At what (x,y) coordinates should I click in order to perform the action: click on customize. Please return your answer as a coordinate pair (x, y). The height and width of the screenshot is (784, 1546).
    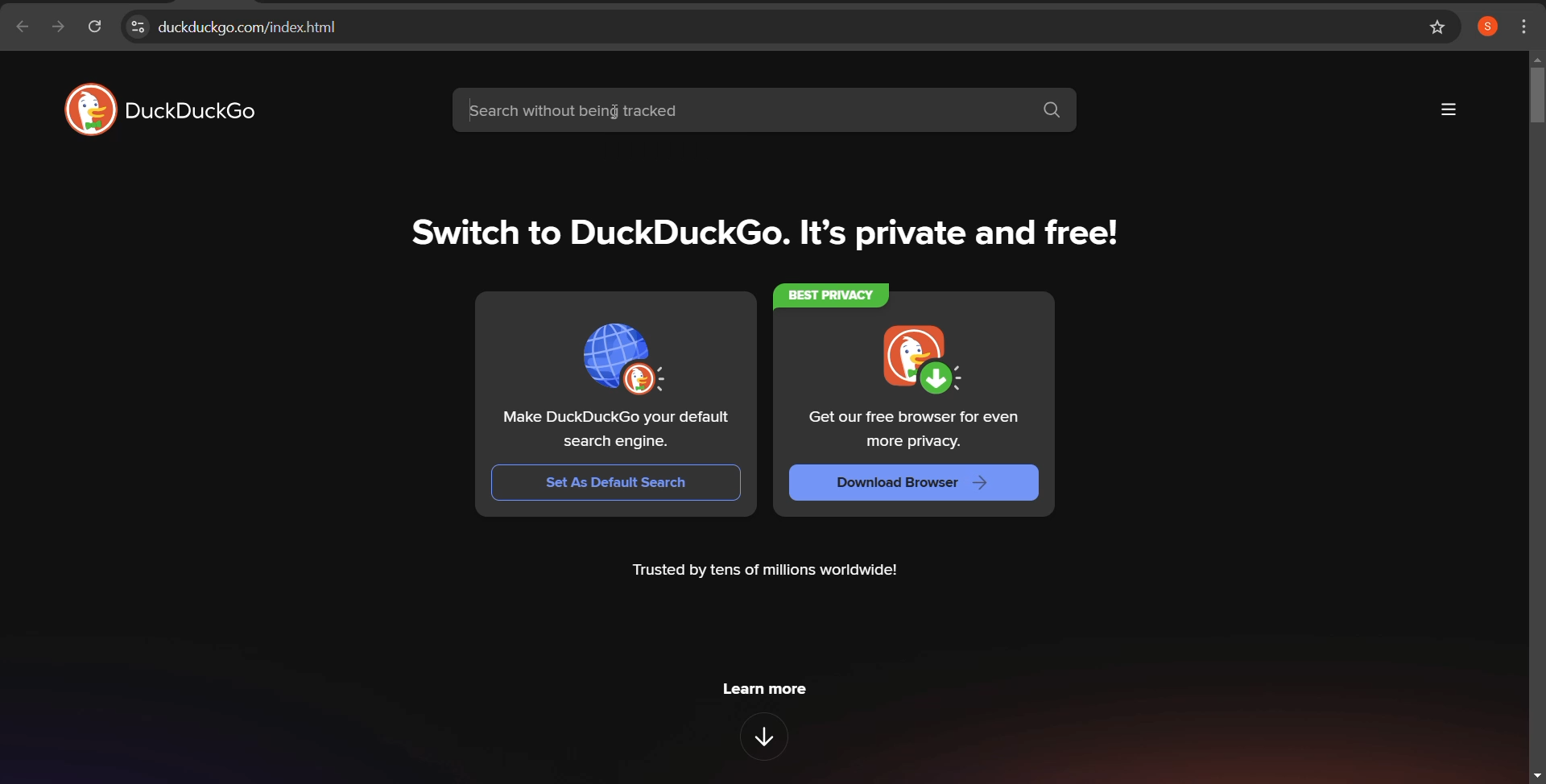
    Looking at the image, I should click on (1526, 25).